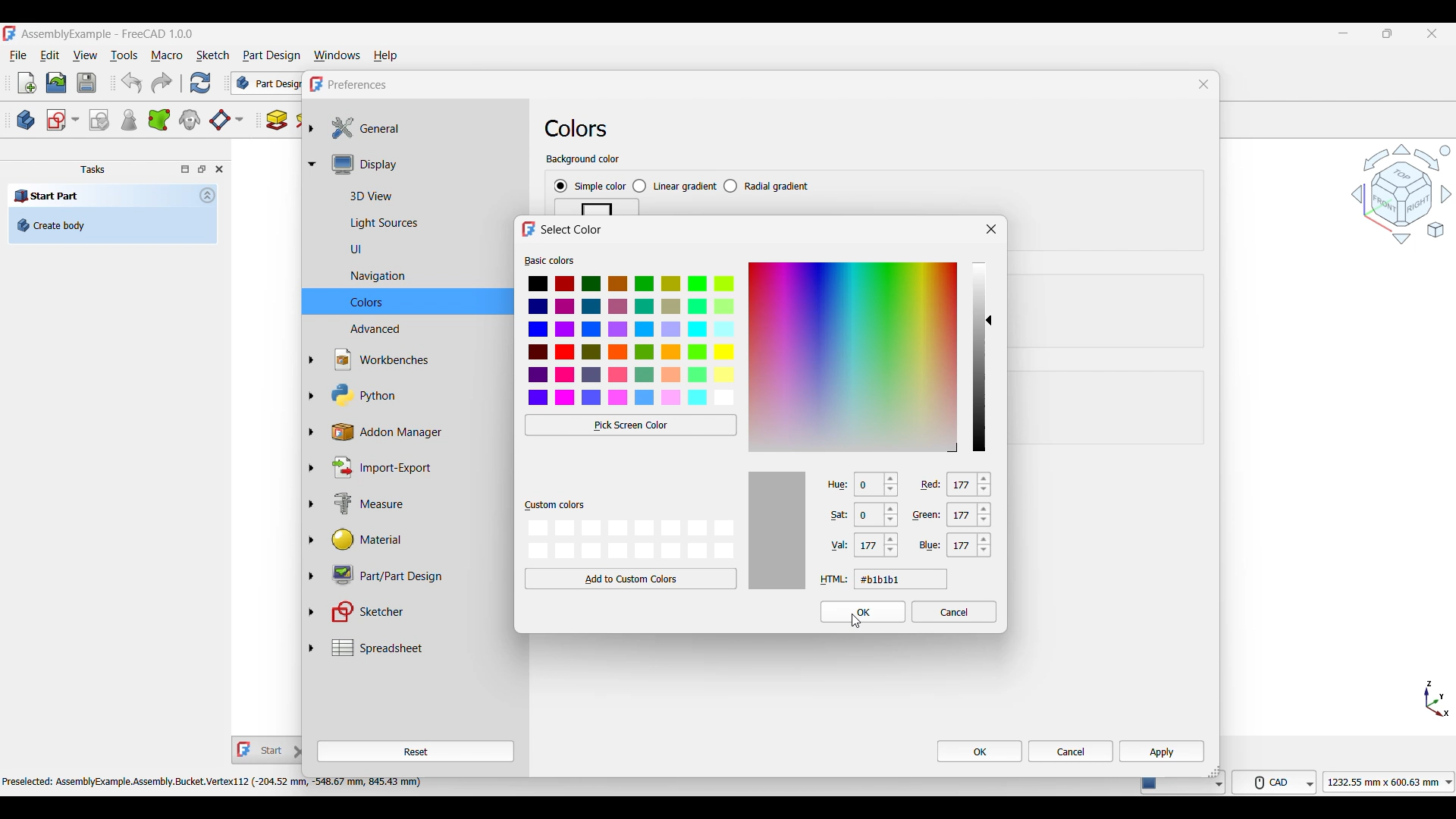 The width and height of the screenshot is (1456, 819). What do you see at coordinates (1388, 33) in the screenshot?
I see `Show in smaller tab` at bounding box center [1388, 33].